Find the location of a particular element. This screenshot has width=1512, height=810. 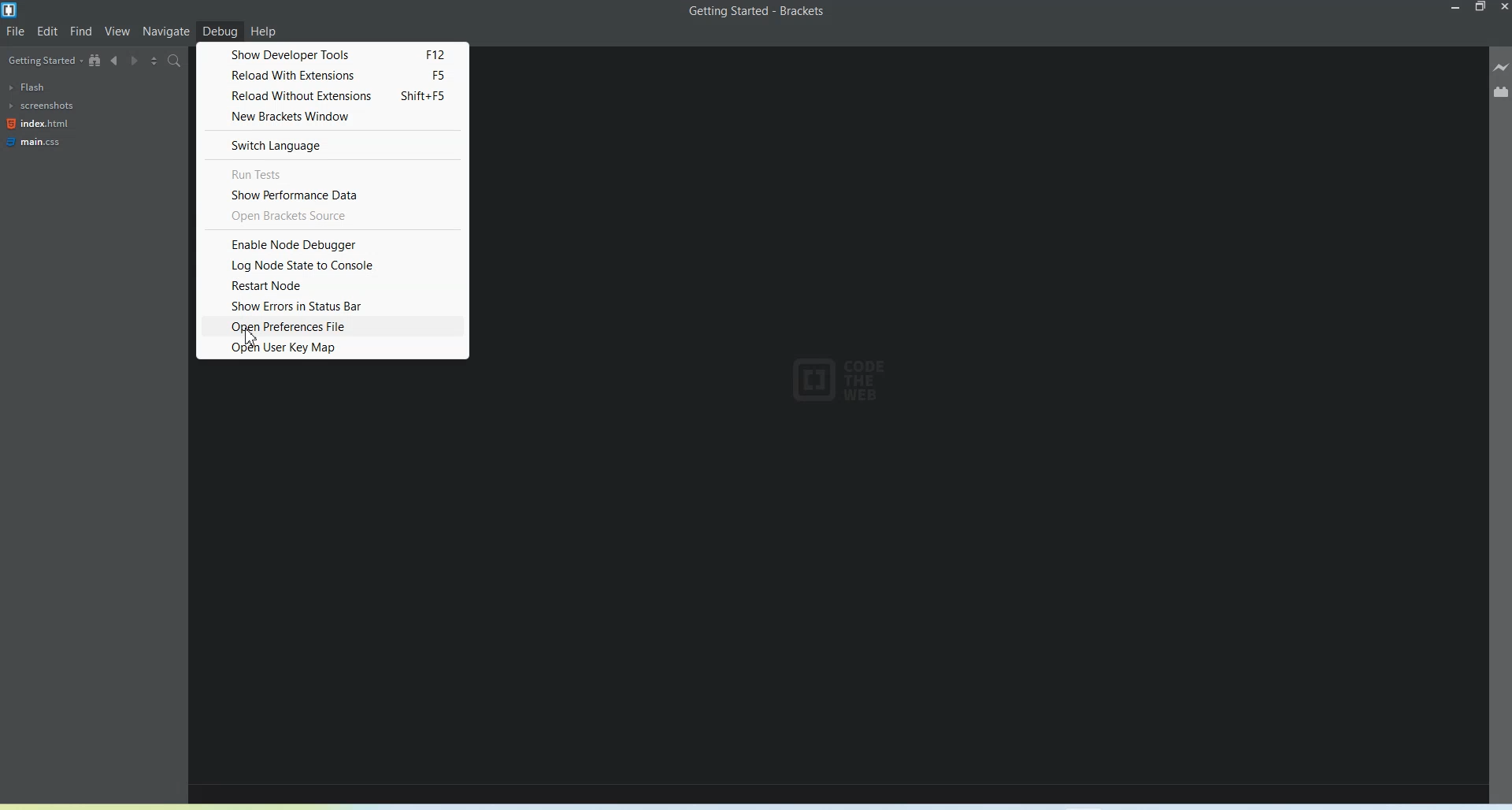

Extension Manager is located at coordinates (1500, 91).